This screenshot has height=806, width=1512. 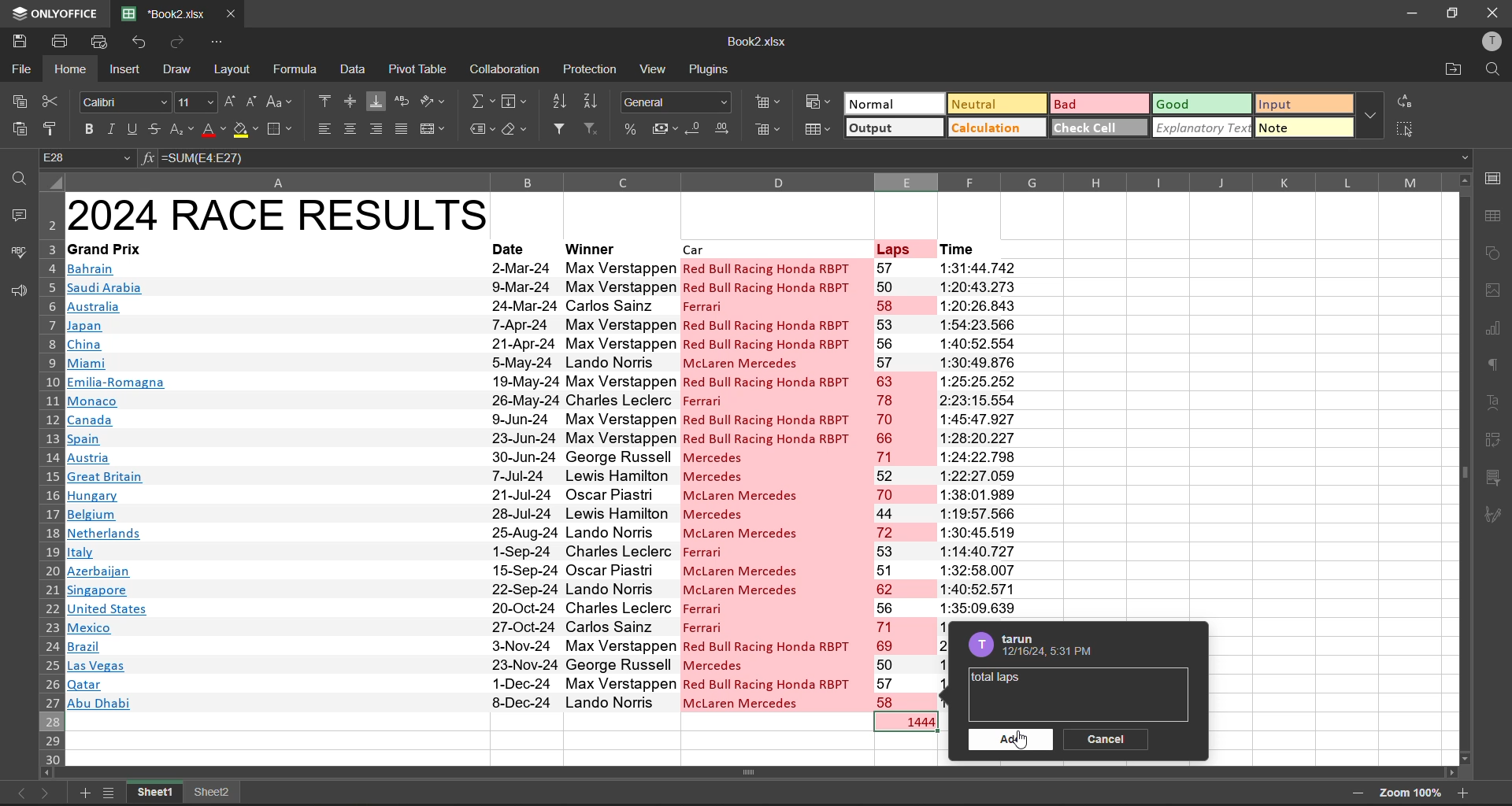 I want to click on decrement size, so click(x=249, y=102).